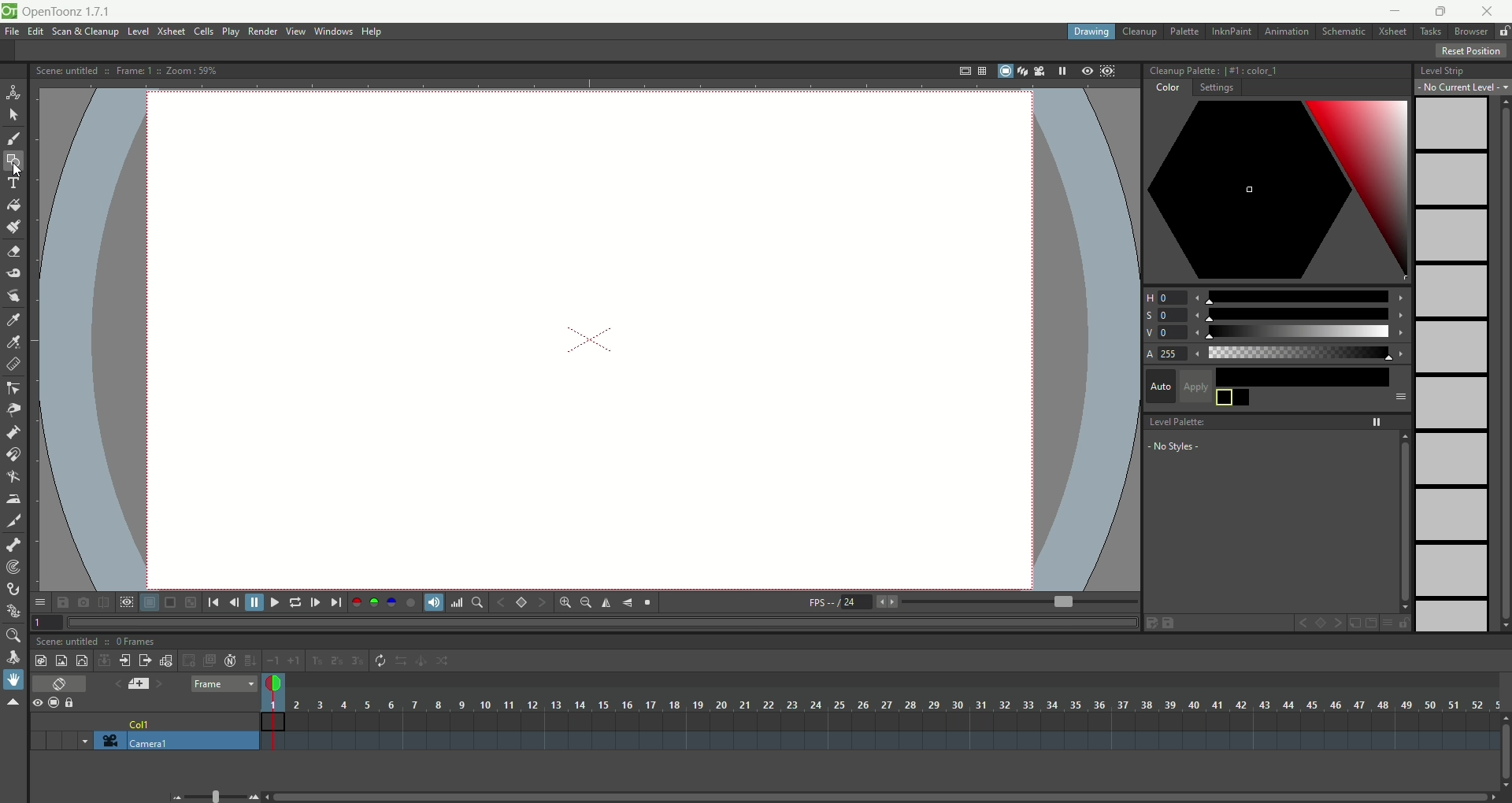 The height and width of the screenshot is (803, 1512). I want to click on pinch, so click(14, 409).